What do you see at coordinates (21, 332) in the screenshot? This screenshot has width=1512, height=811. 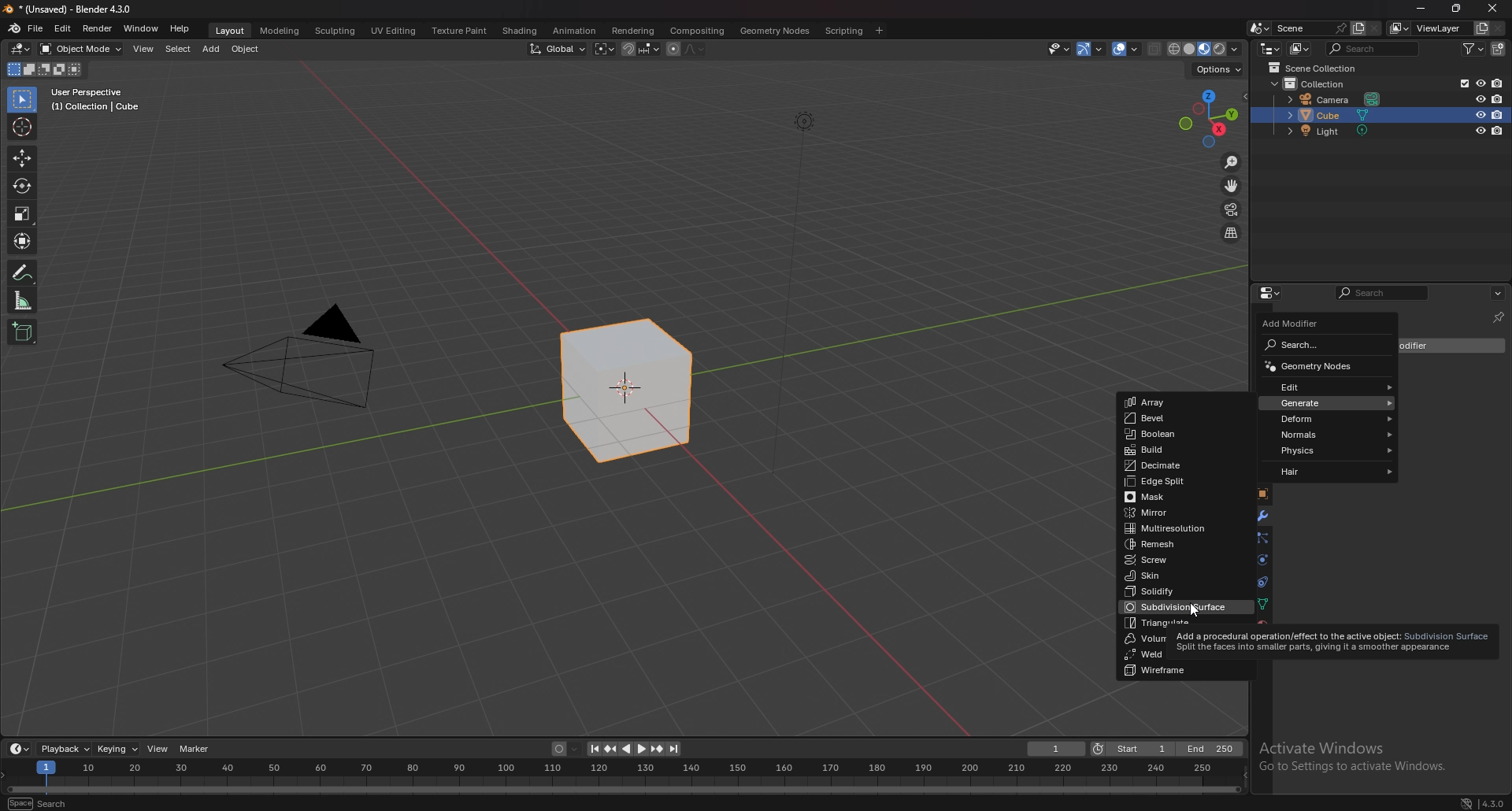 I see `add cube` at bounding box center [21, 332].